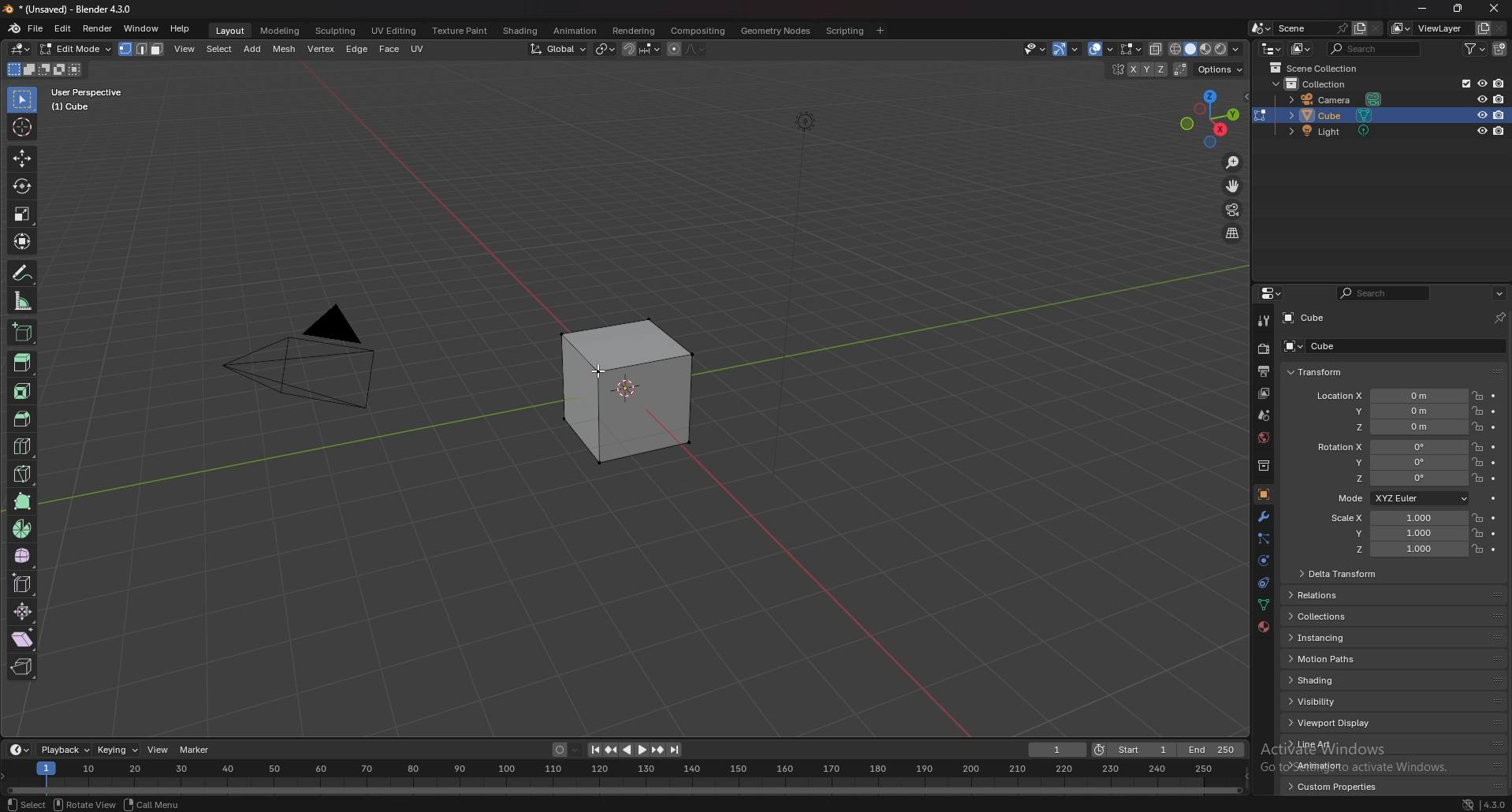 This screenshot has width=1512, height=812. What do you see at coordinates (1093, 50) in the screenshot?
I see `show gizmo` at bounding box center [1093, 50].